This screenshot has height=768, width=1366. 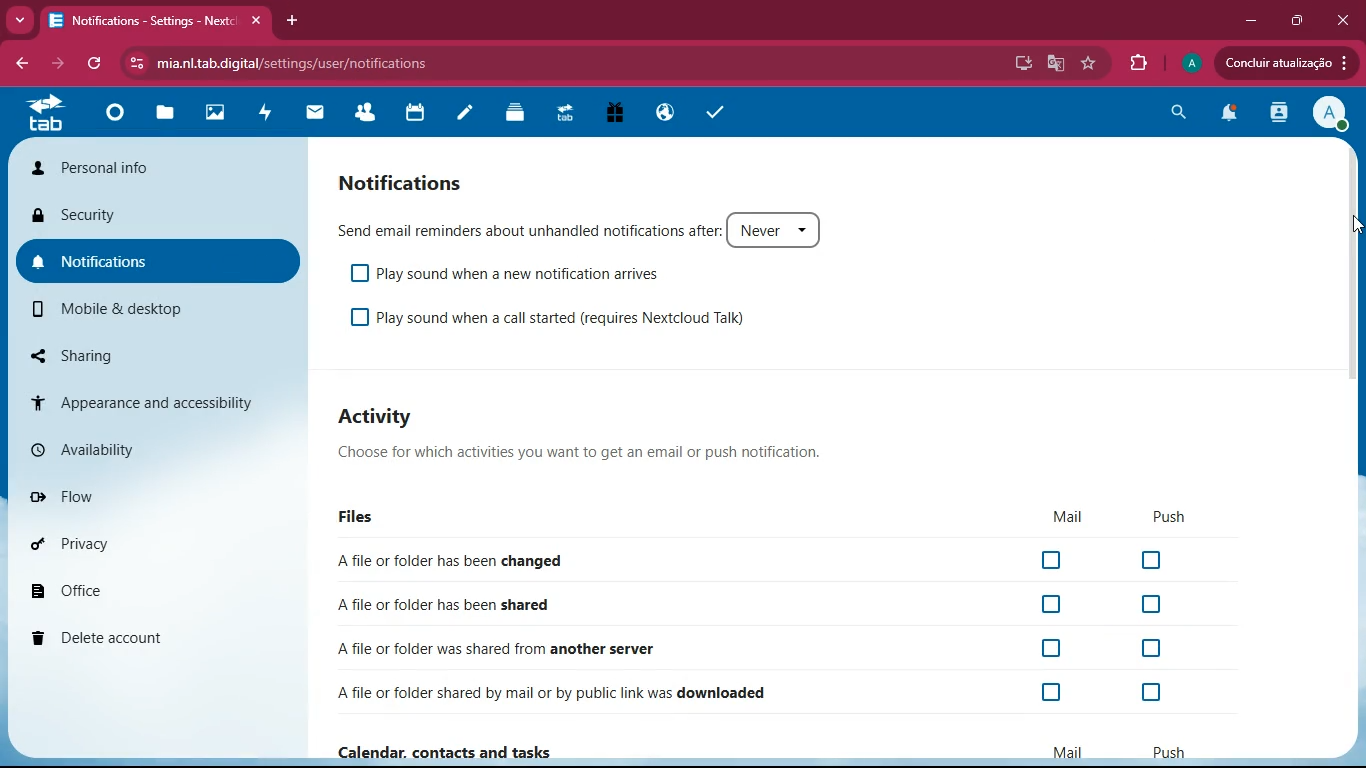 I want to click on A file or folder was shared from another server, so click(x=499, y=649).